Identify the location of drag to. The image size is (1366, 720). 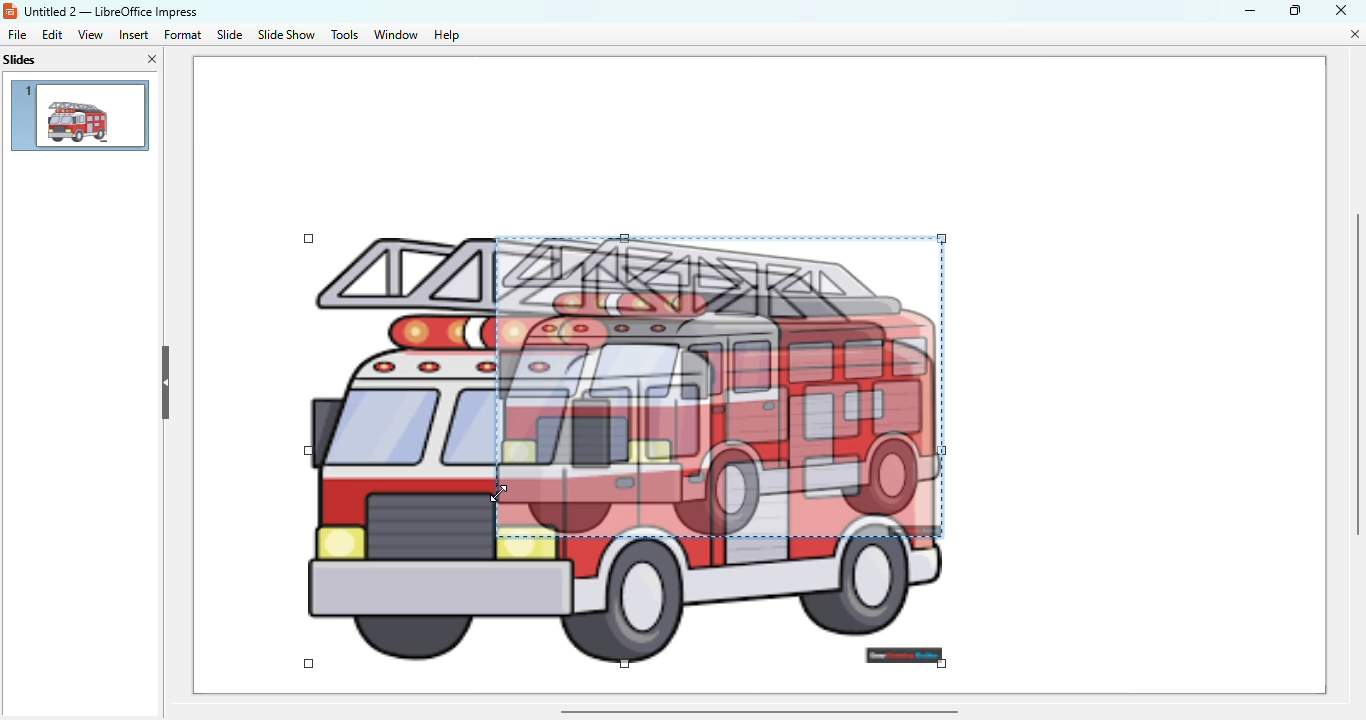
(499, 494).